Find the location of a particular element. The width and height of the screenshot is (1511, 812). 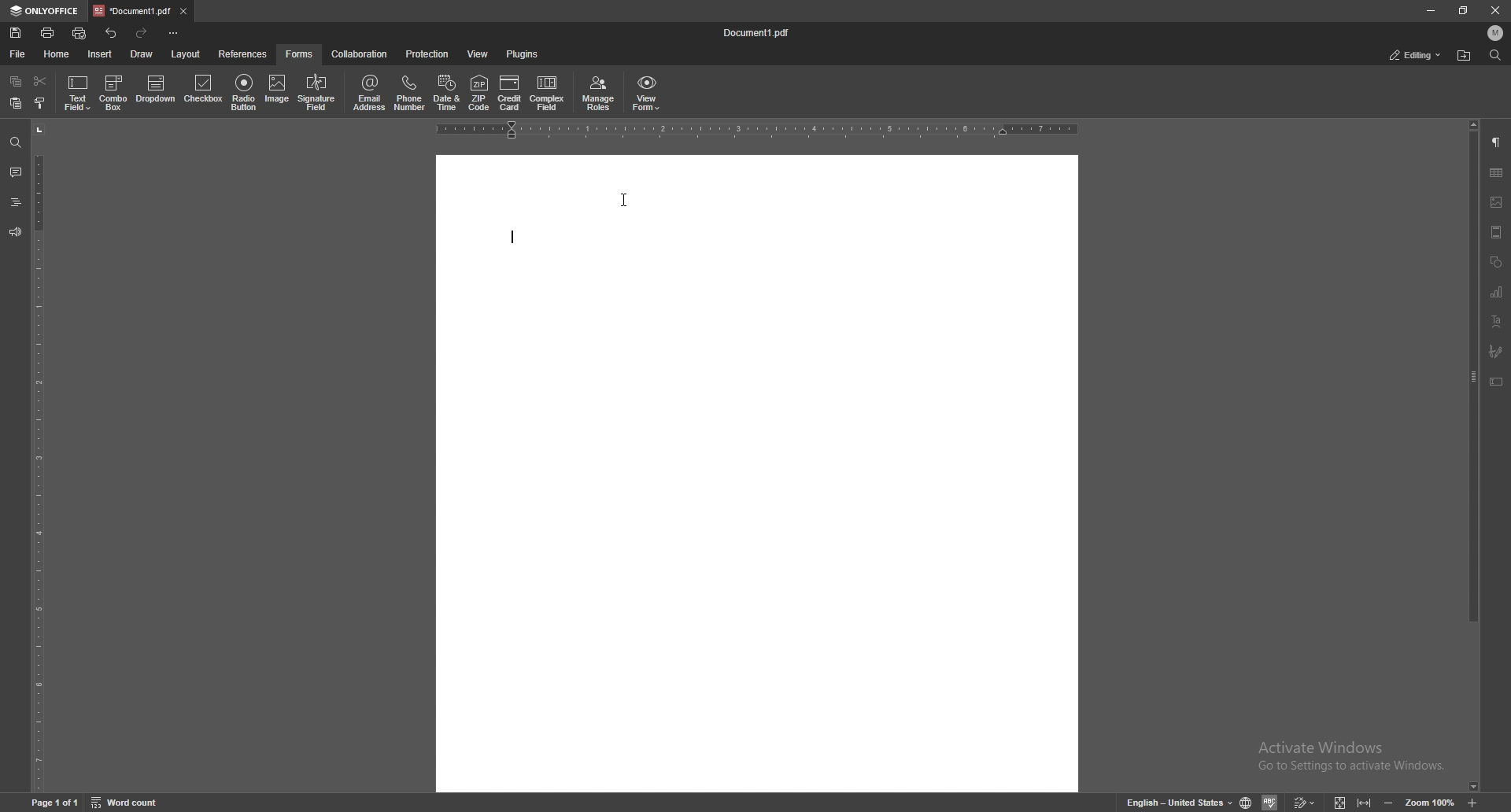

find location is located at coordinates (1465, 55).